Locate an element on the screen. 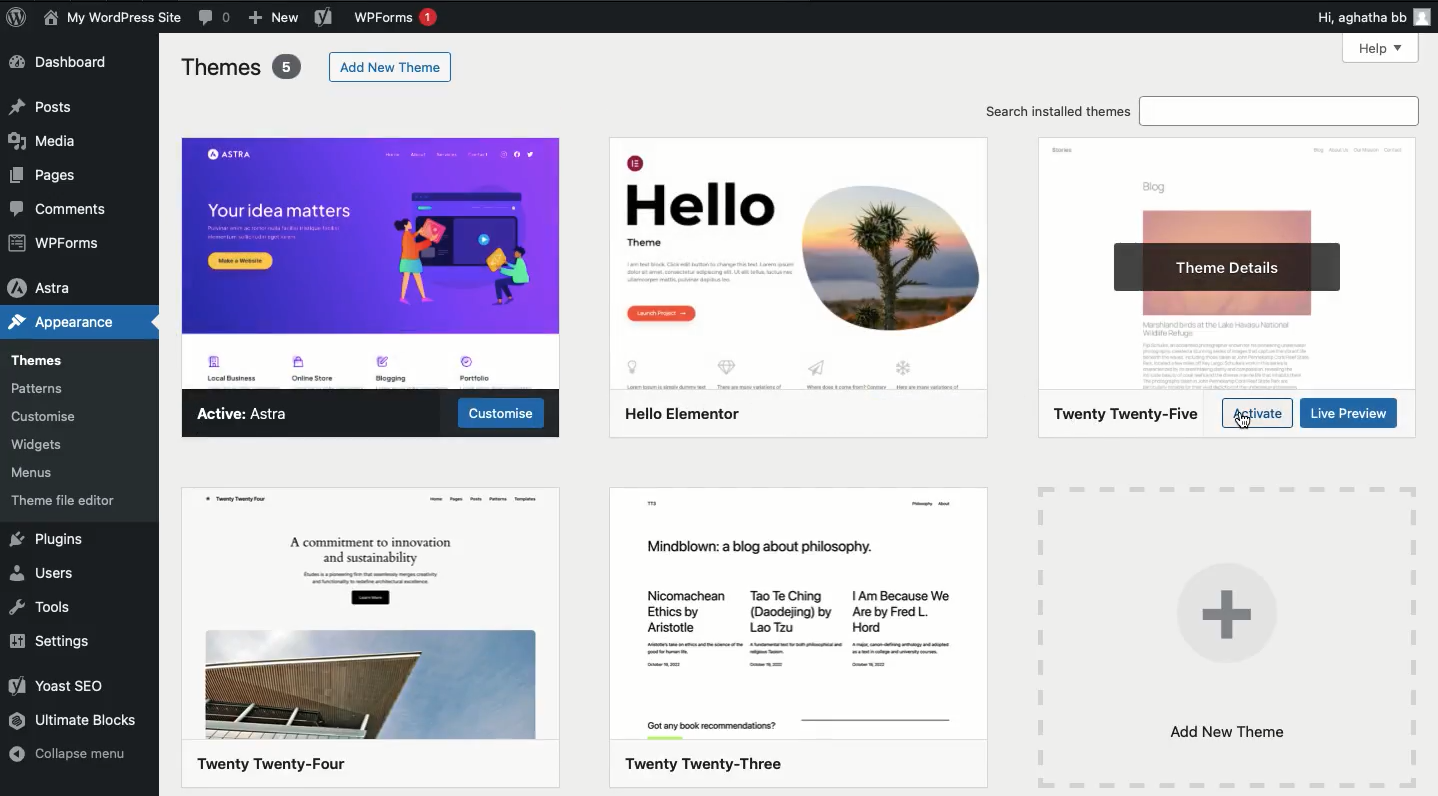 The image size is (1438, 796). Themes is located at coordinates (239, 68).